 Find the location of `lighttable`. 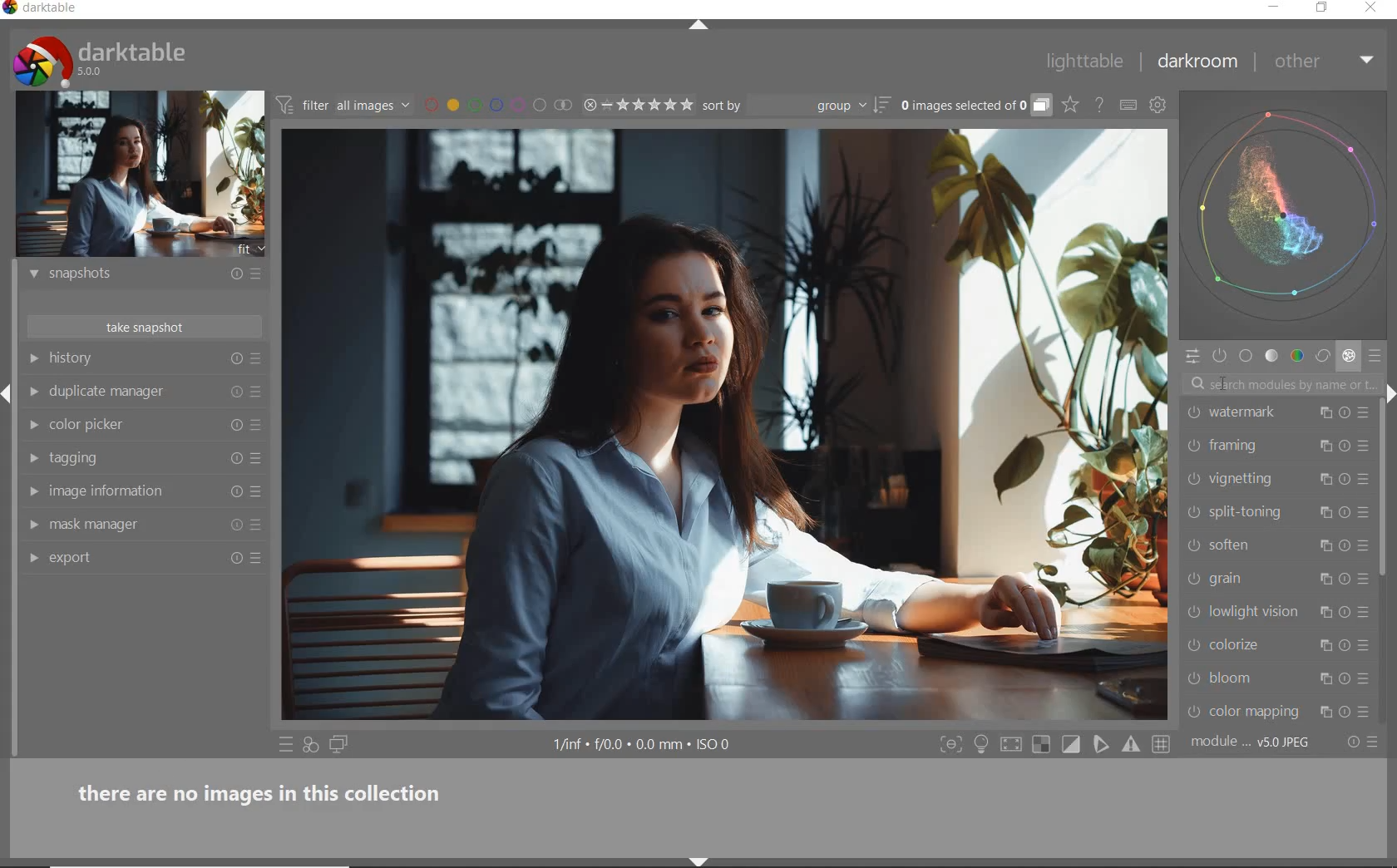

lighttable is located at coordinates (1085, 64).